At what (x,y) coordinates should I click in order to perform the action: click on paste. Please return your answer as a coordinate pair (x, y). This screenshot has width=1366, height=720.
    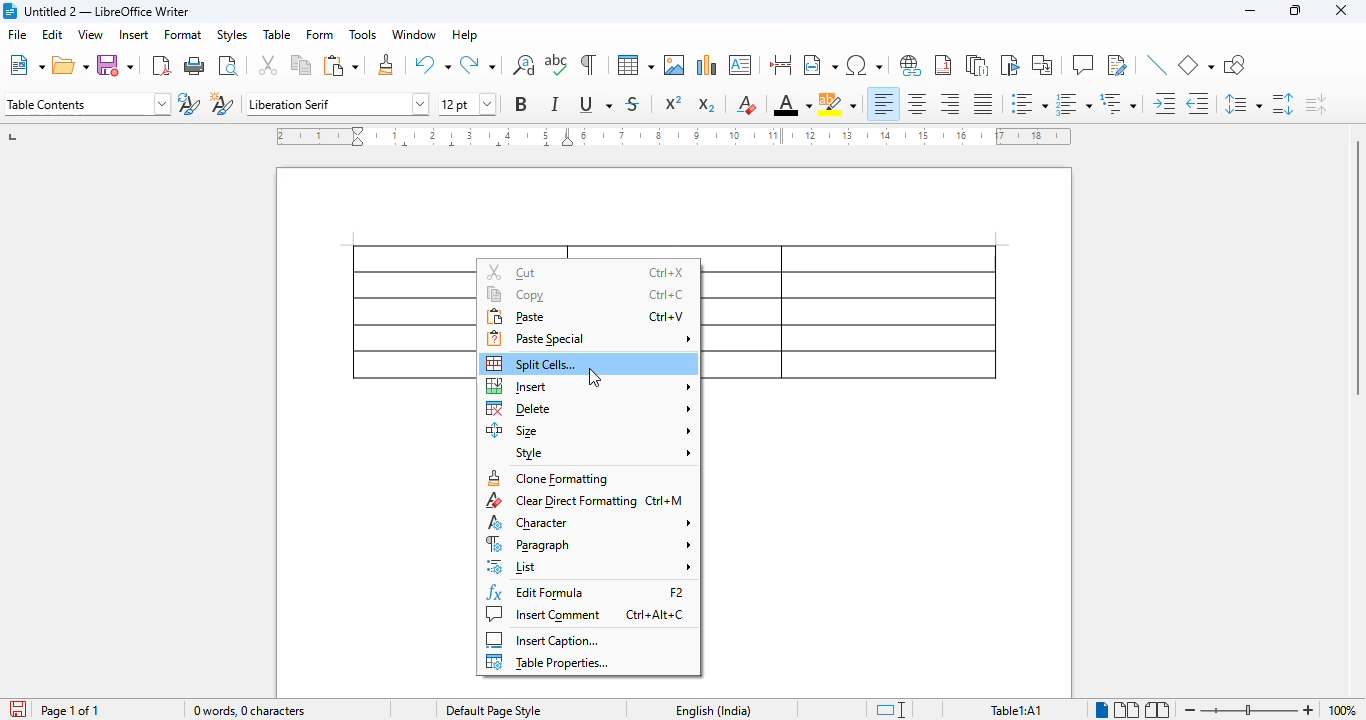
    Looking at the image, I should click on (517, 316).